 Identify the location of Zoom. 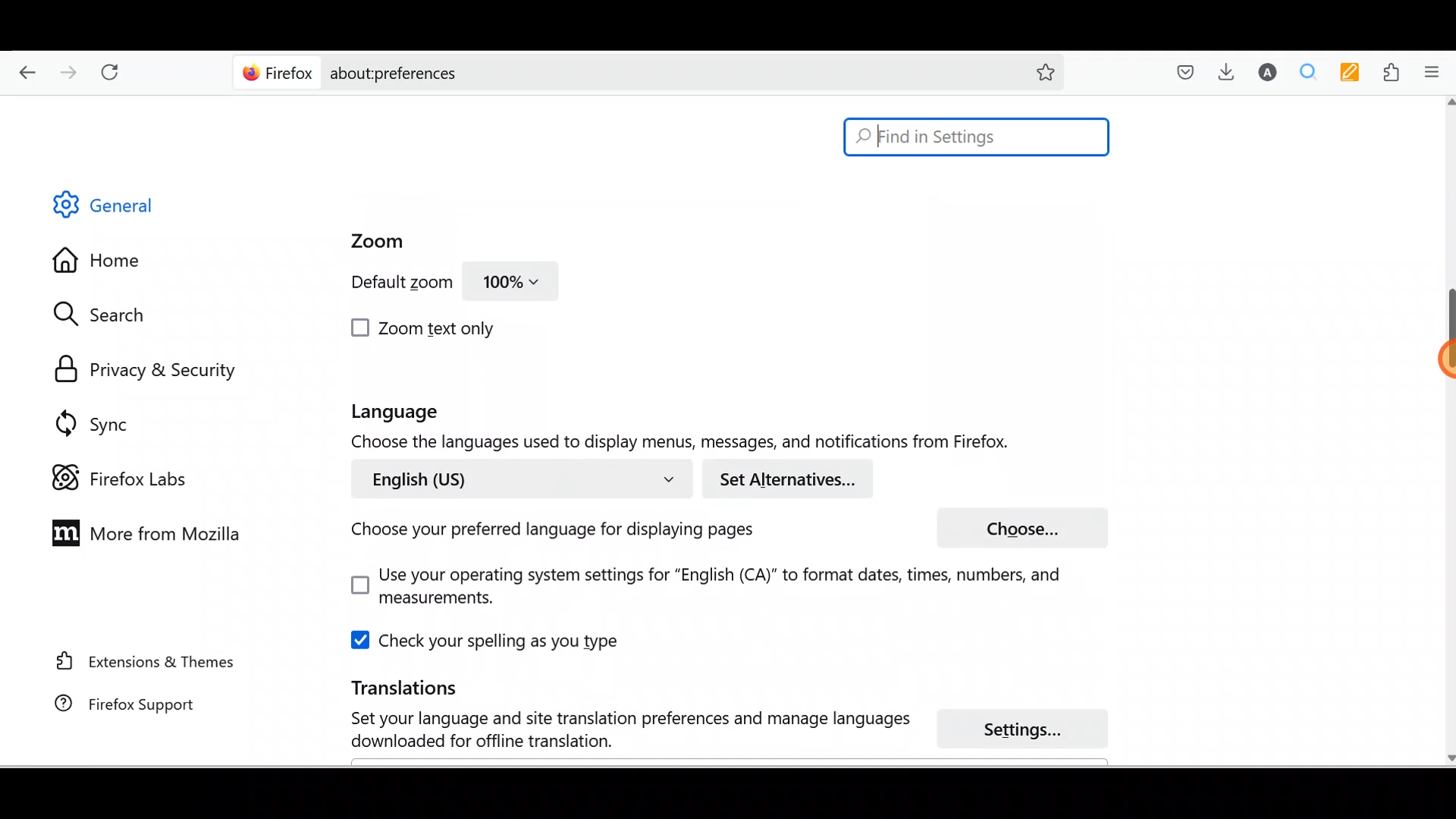
(370, 242).